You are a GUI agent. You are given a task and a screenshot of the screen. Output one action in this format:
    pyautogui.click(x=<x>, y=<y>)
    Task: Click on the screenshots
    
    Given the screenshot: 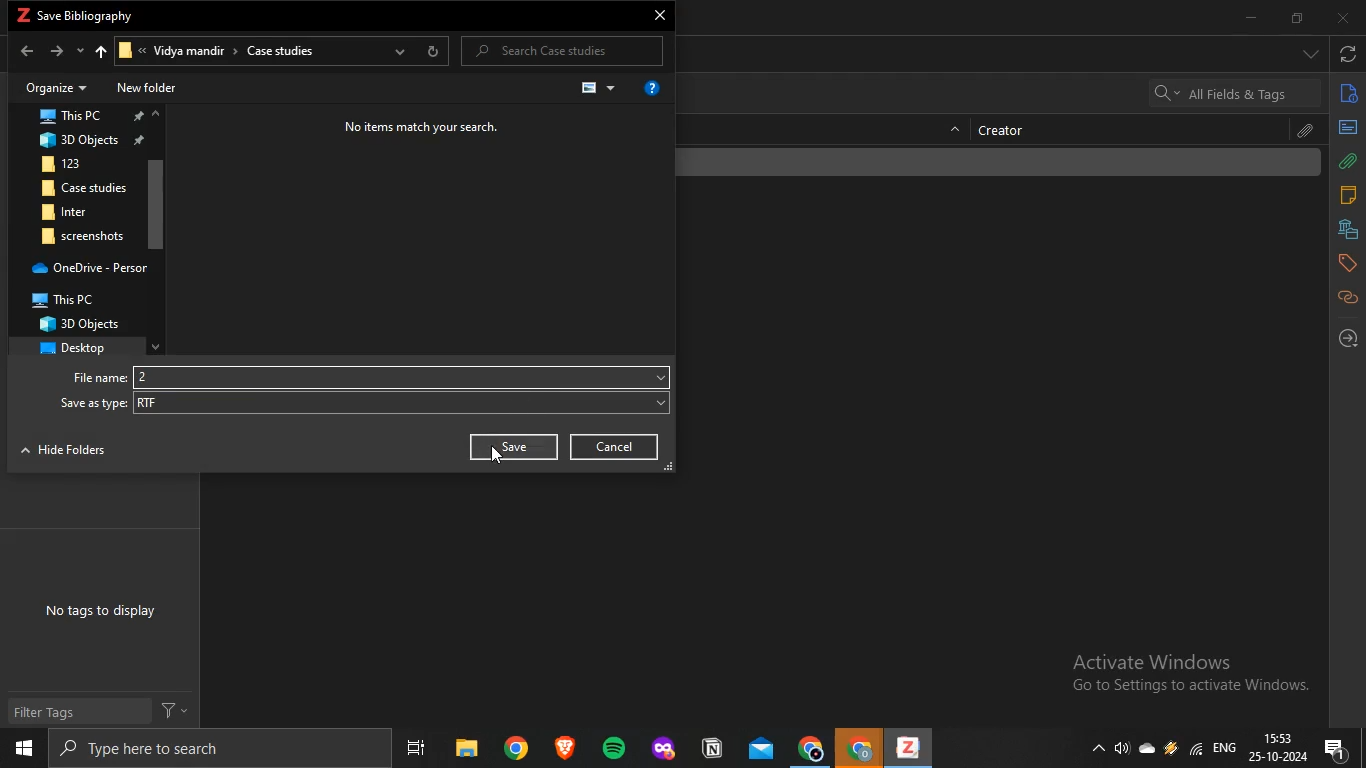 What is the action you would take?
    pyautogui.click(x=85, y=235)
    